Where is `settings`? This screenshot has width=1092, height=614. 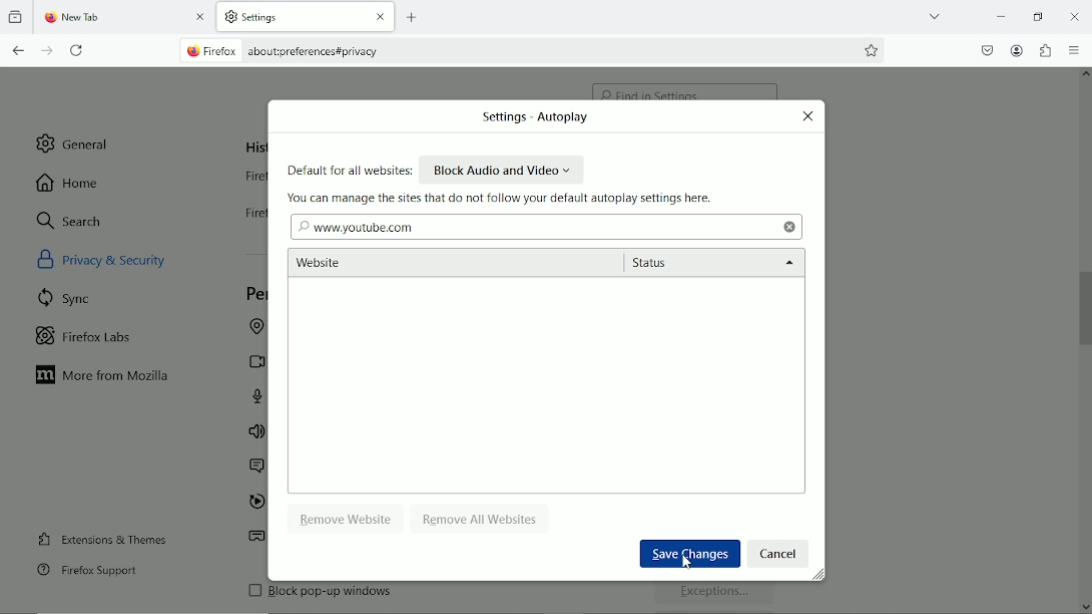 settings is located at coordinates (275, 18).